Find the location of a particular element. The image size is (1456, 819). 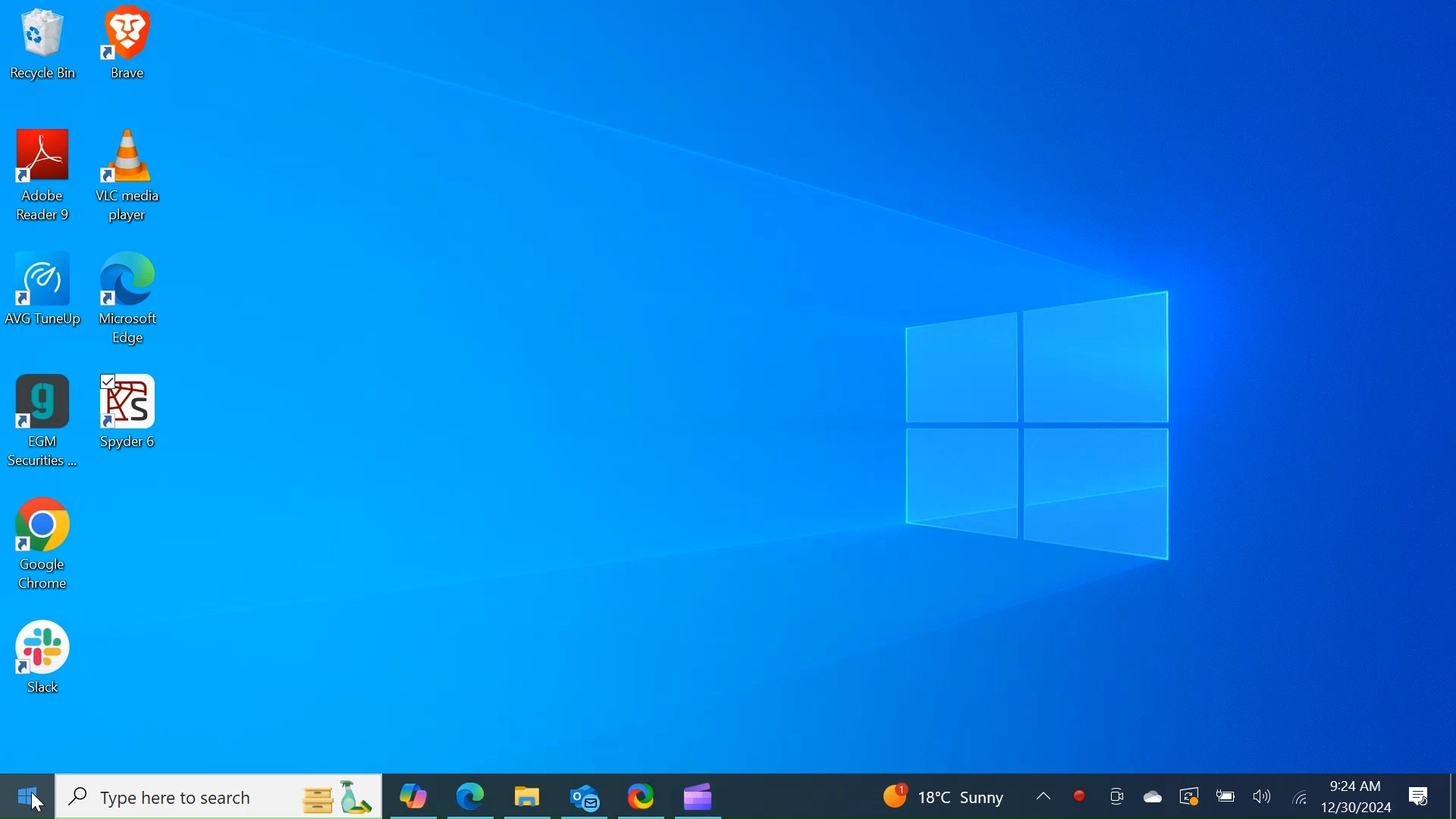

Adobe Reader Desktop Icon is located at coordinates (44, 178).